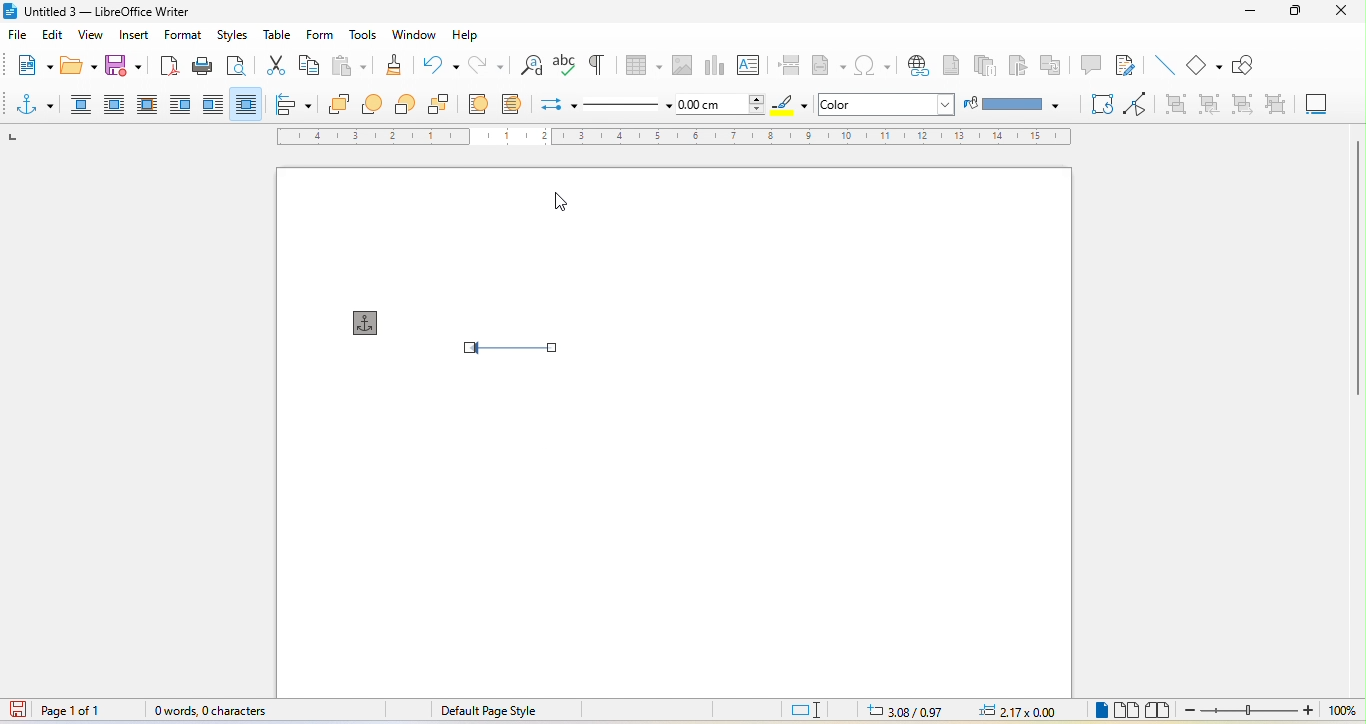 Image resolution: width=1366 pixels, height=724 pixels. What do you see at coordinates (558, 102) in the screenshot?
I see `select start and end arrowheads for lines` at bounding box center [558, 102].